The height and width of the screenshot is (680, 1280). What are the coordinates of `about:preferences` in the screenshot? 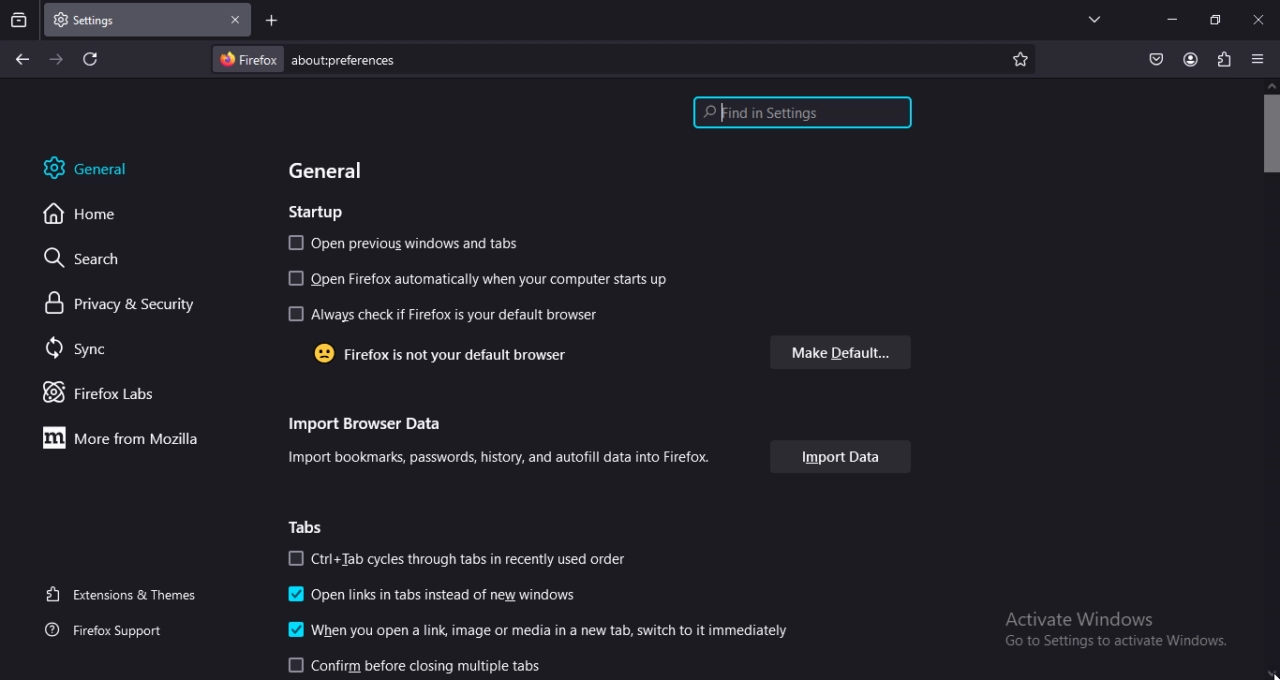 It's located at (482, 60).